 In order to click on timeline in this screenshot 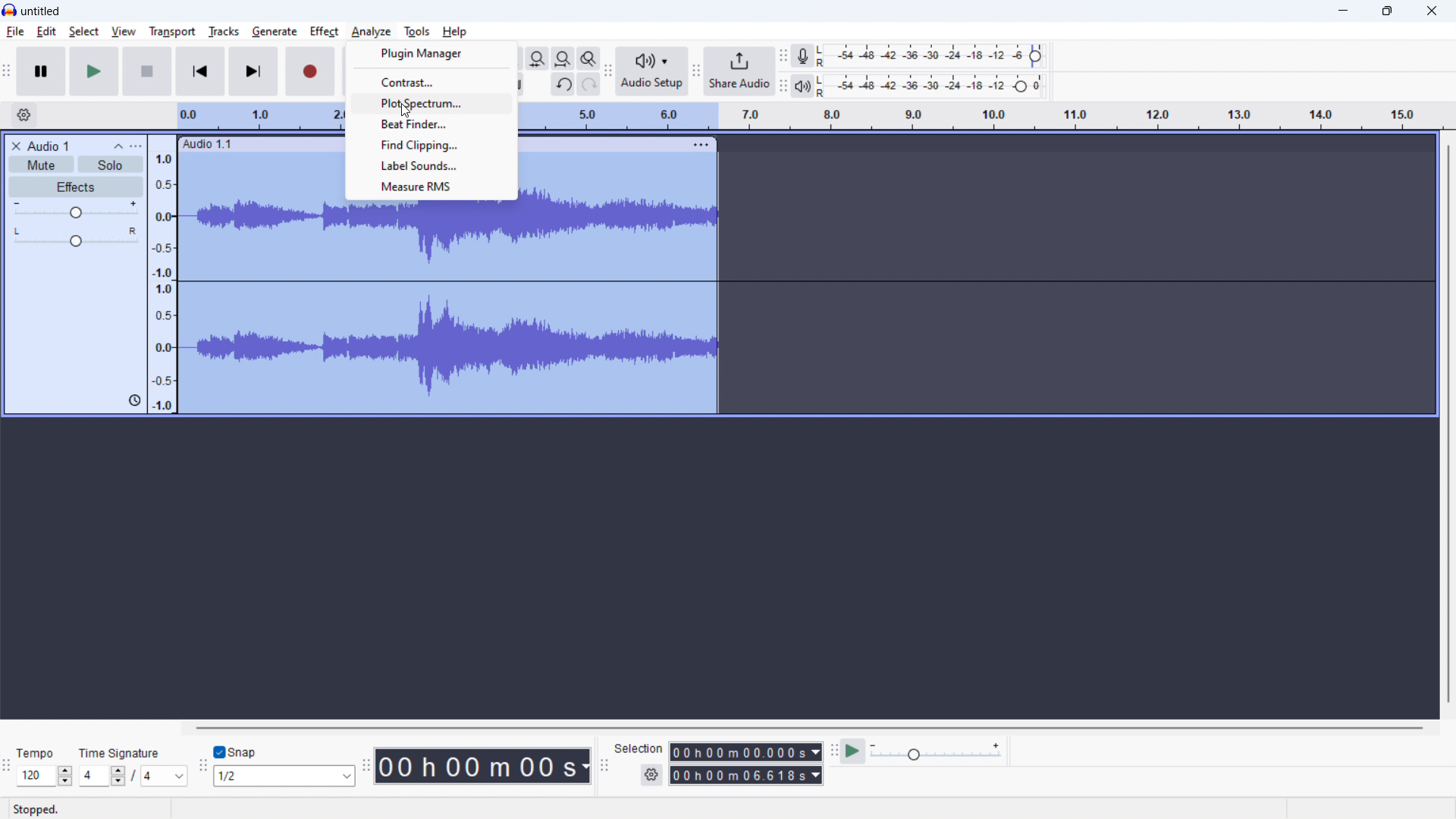, I will do `click(987, 116)`.